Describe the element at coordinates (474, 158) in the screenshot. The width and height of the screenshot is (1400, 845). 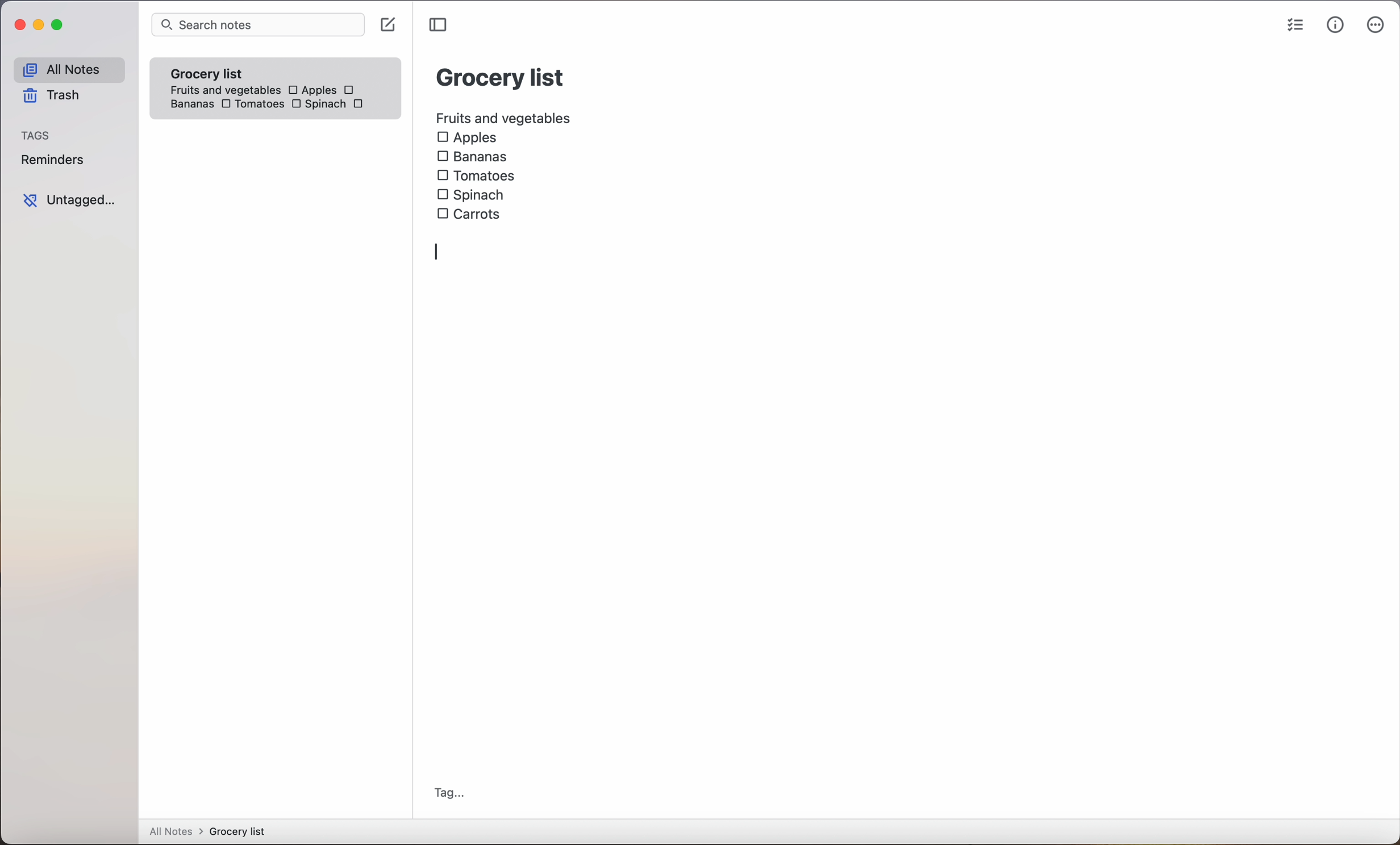
I see `Bananas checkbox` at that location.